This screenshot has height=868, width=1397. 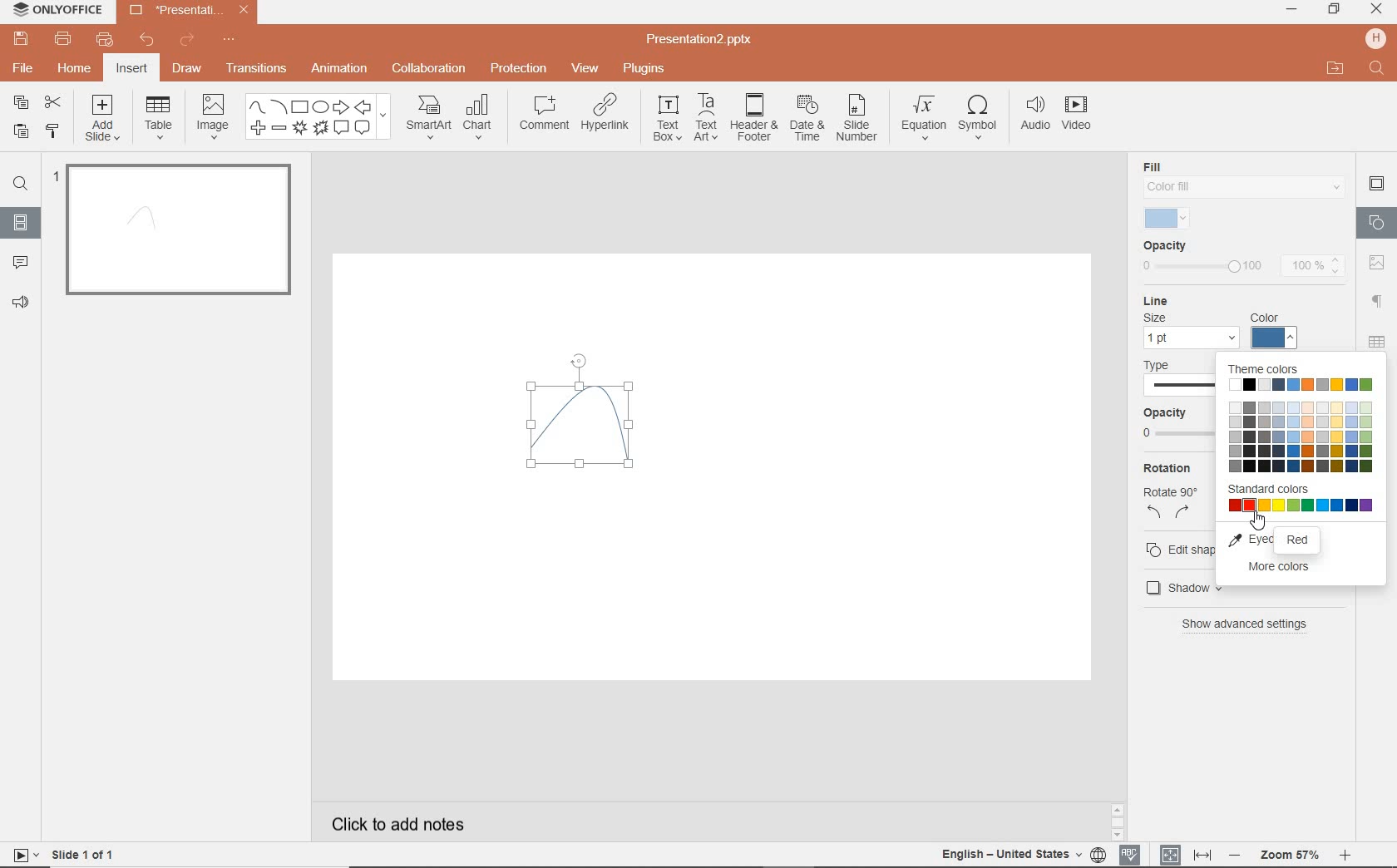 What do you see at coordinates (132, 69) in the screenshot?
I see `INSERT` at bounding box center [132, 69].